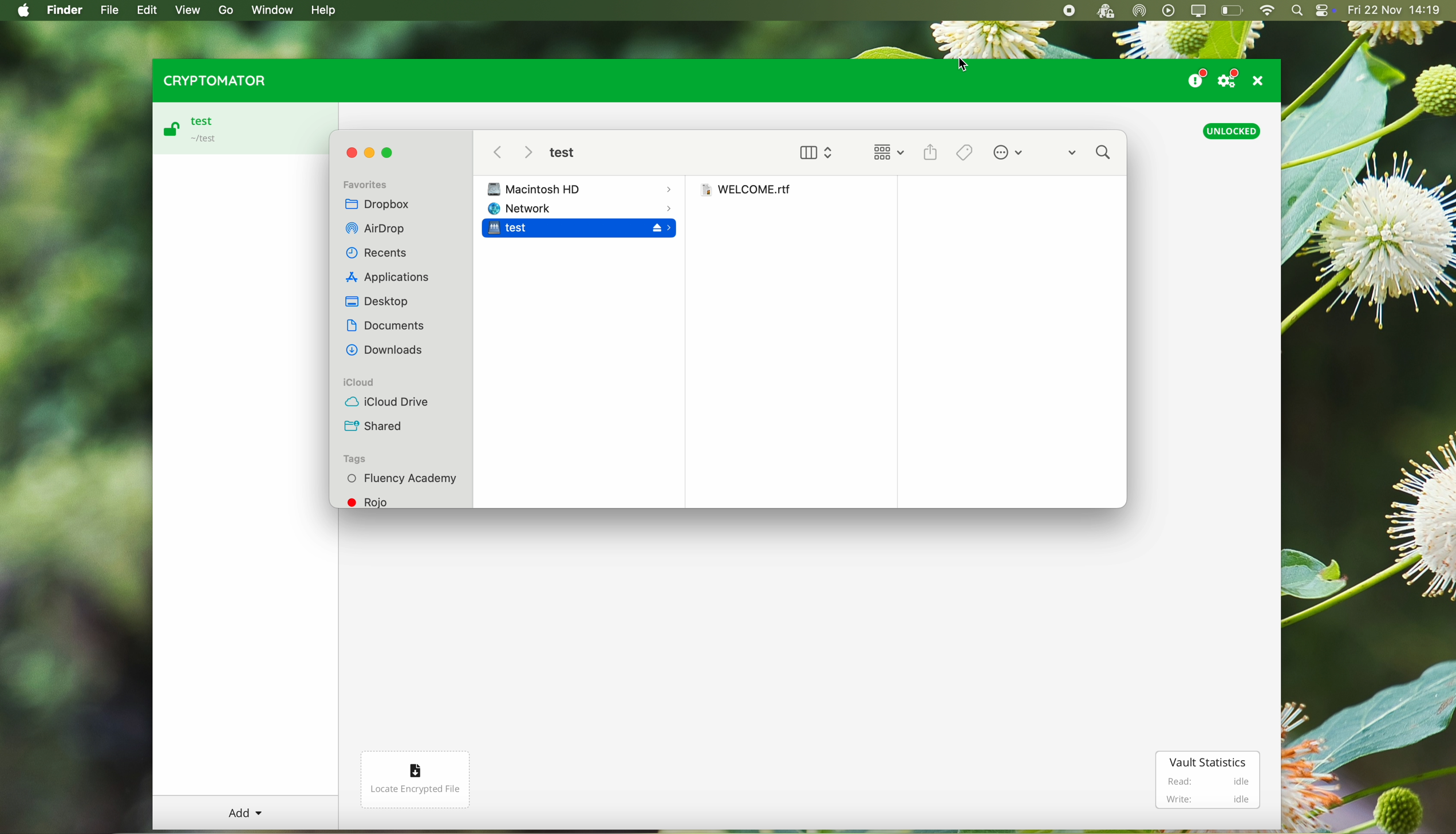 Image resolution: width=1456 pixels, height=834 pixels. What do you see at coordinates (562, 154) in the screenshot?
I see `test folder` at bounding box center [562, 154].